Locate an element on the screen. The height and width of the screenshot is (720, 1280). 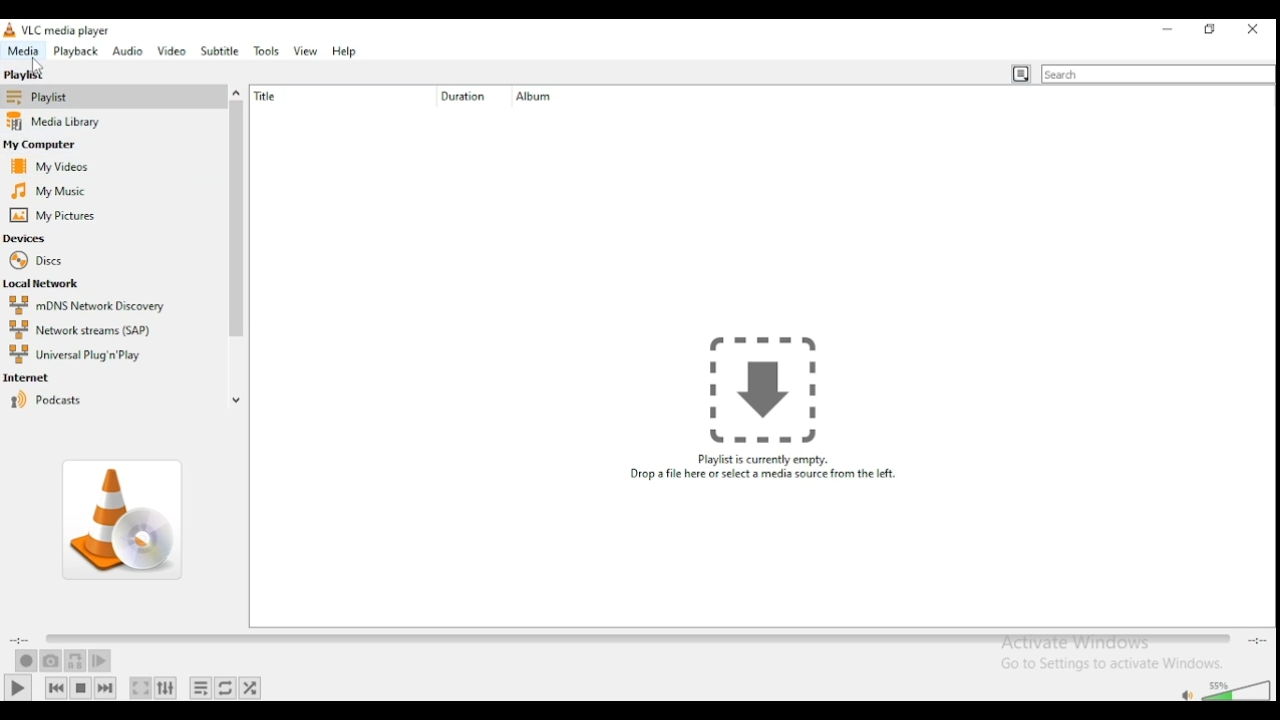
toggle playlist is located at coordinates (1021, 75).